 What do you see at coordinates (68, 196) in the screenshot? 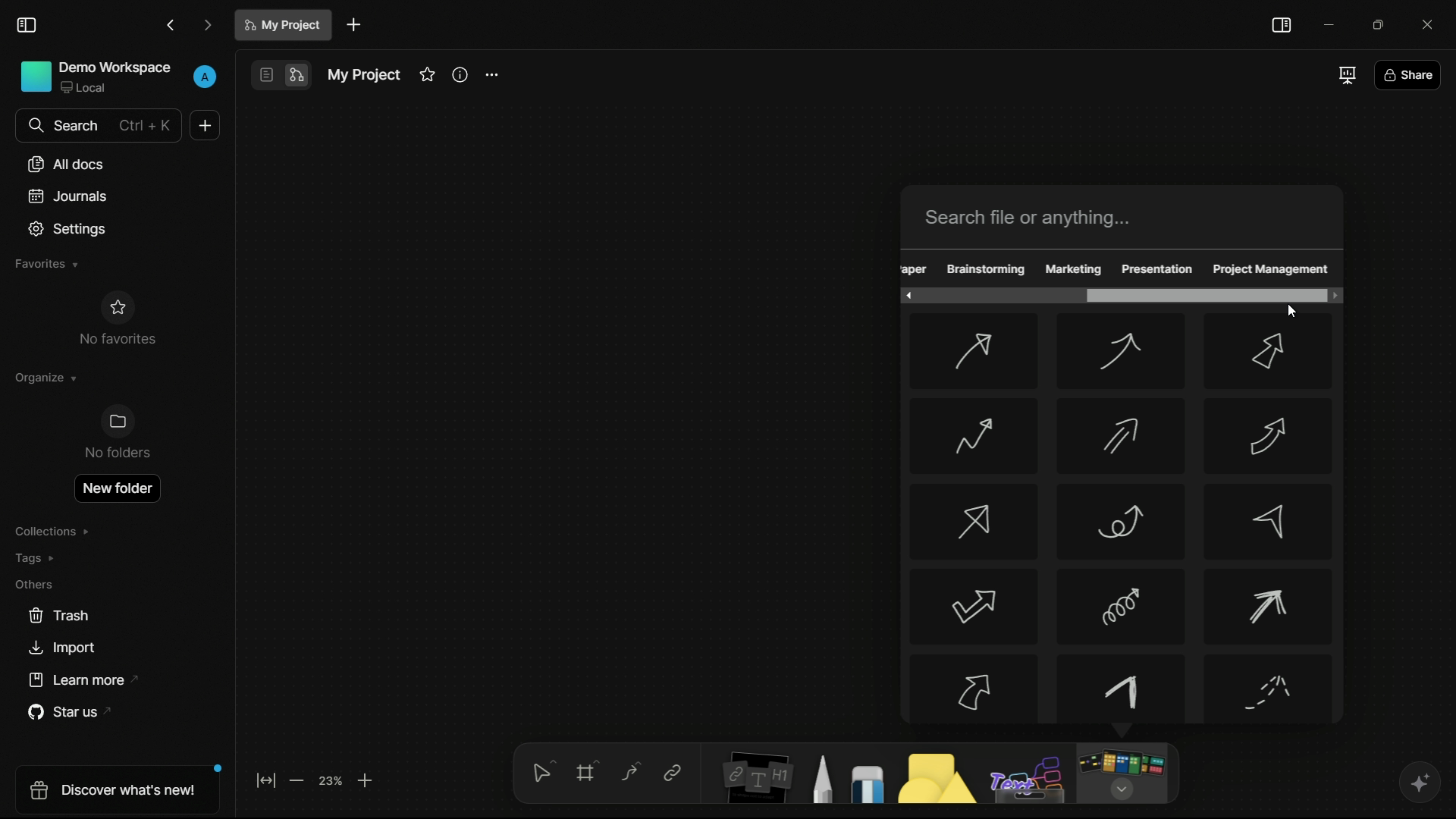
I see `journals` at bounding box center [68, 196].